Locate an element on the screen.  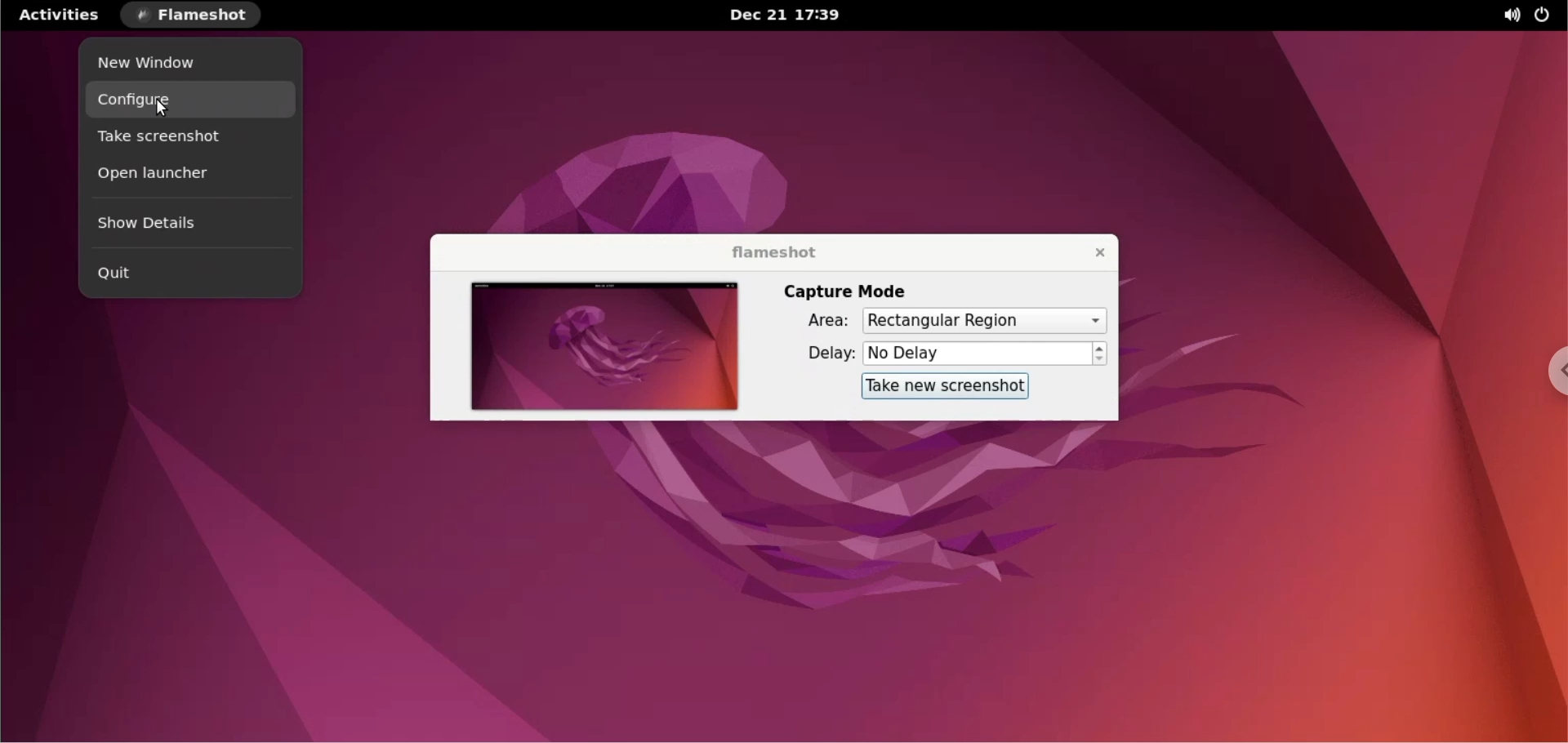
flameshot menu is located at coordinates (195, 16).